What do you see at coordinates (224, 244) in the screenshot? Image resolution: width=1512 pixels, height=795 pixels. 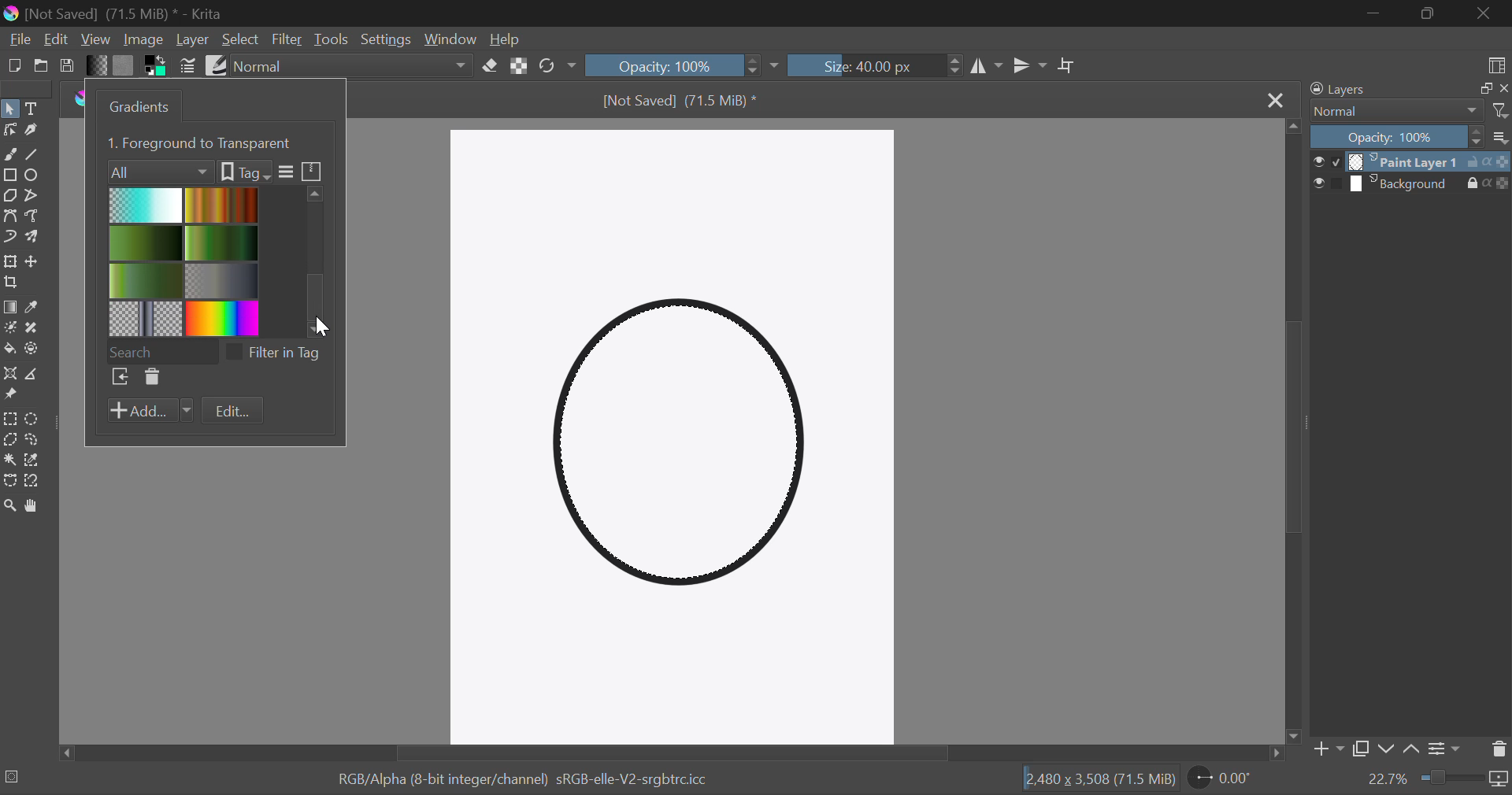 I see `Green gradient 1` at bounding box center [224, 244].